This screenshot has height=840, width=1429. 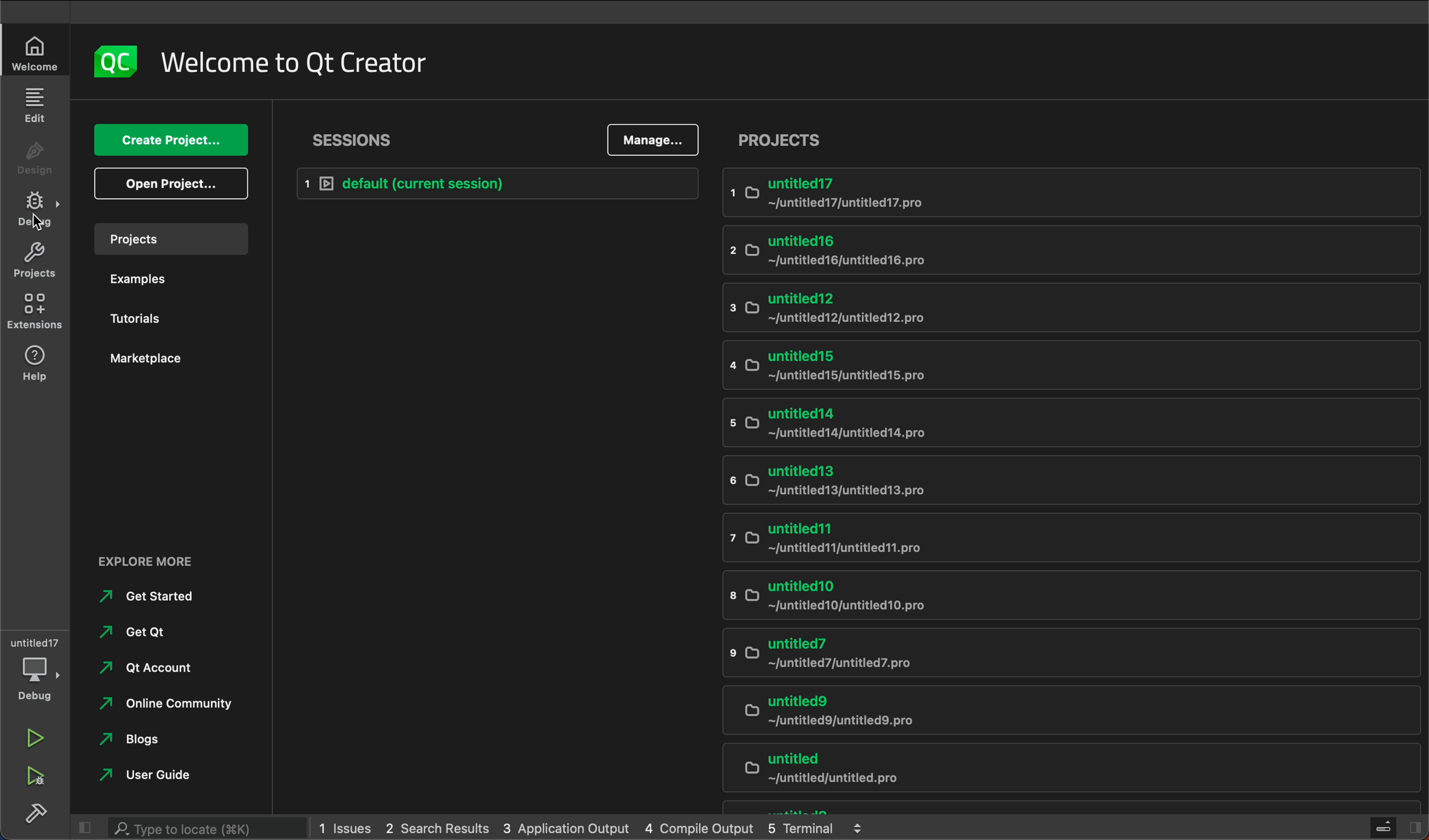 I want to click on untitled13
~[untitled13/untitled13.pro, so click(x=1069, y=482).